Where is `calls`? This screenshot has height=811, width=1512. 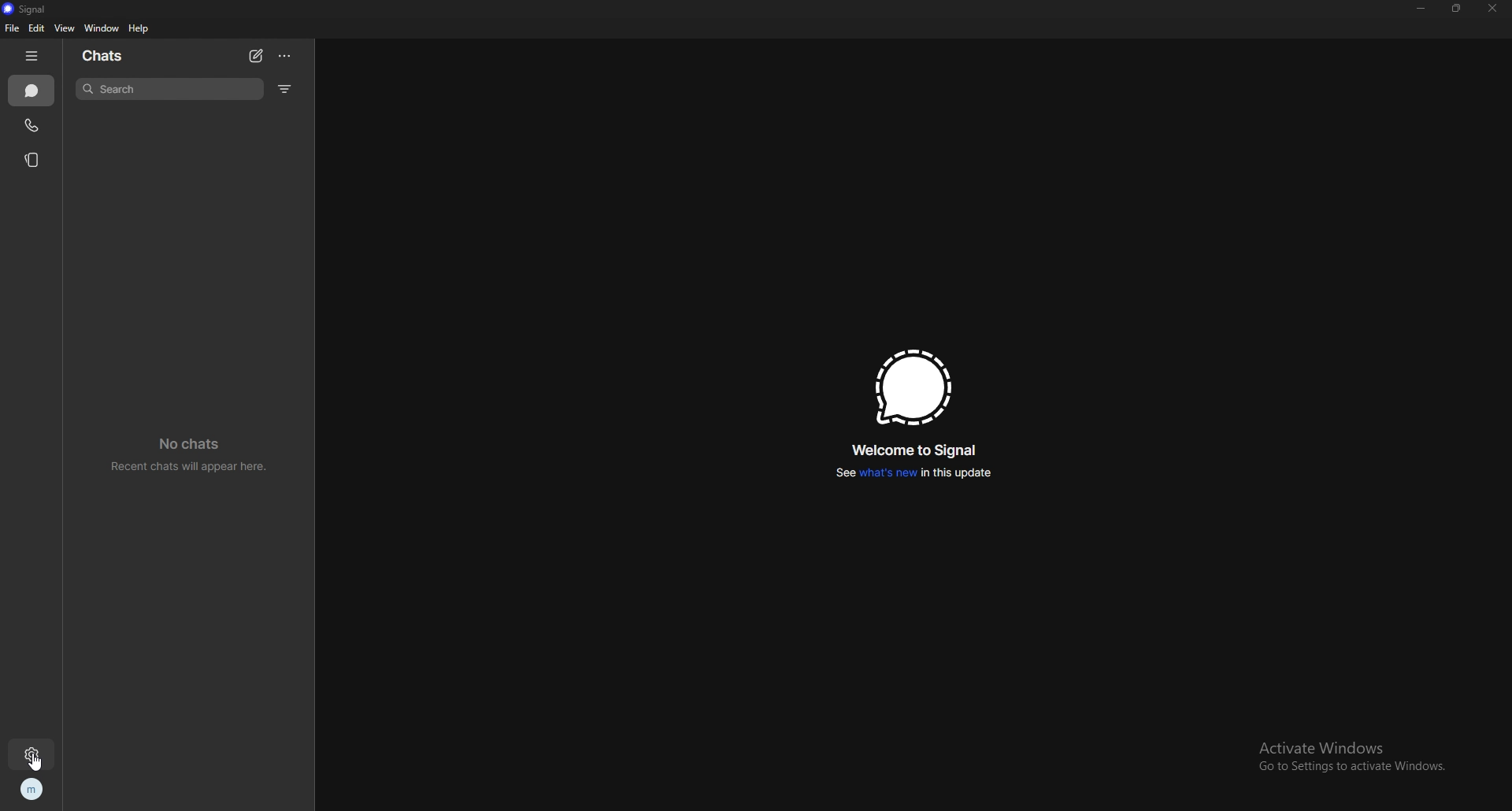 calls is located at coordinates (33, 125).